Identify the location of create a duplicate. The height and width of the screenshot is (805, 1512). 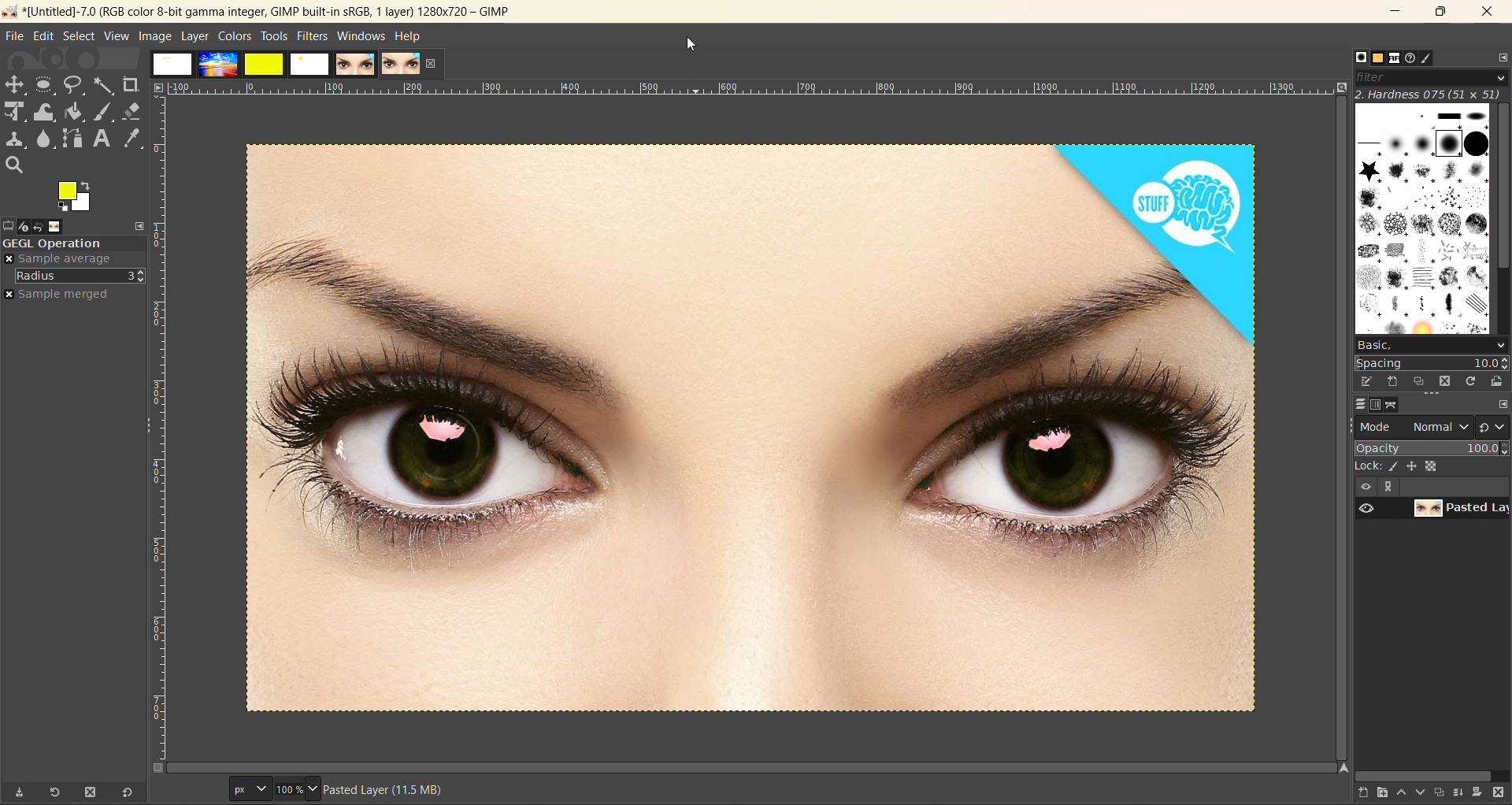
(1440, 793).